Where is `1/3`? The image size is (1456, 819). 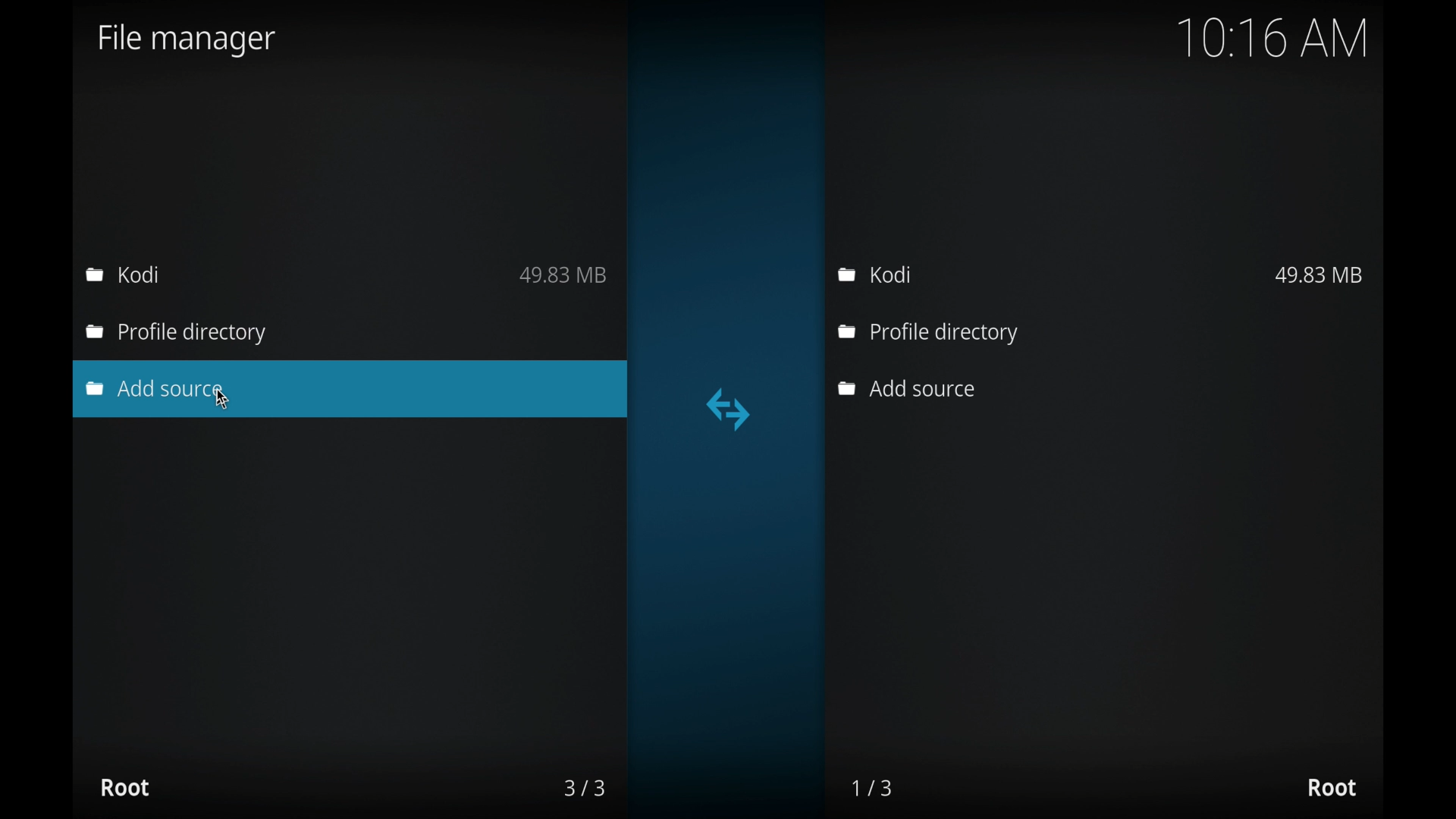 1/3 is located at coordinates (874, 788).